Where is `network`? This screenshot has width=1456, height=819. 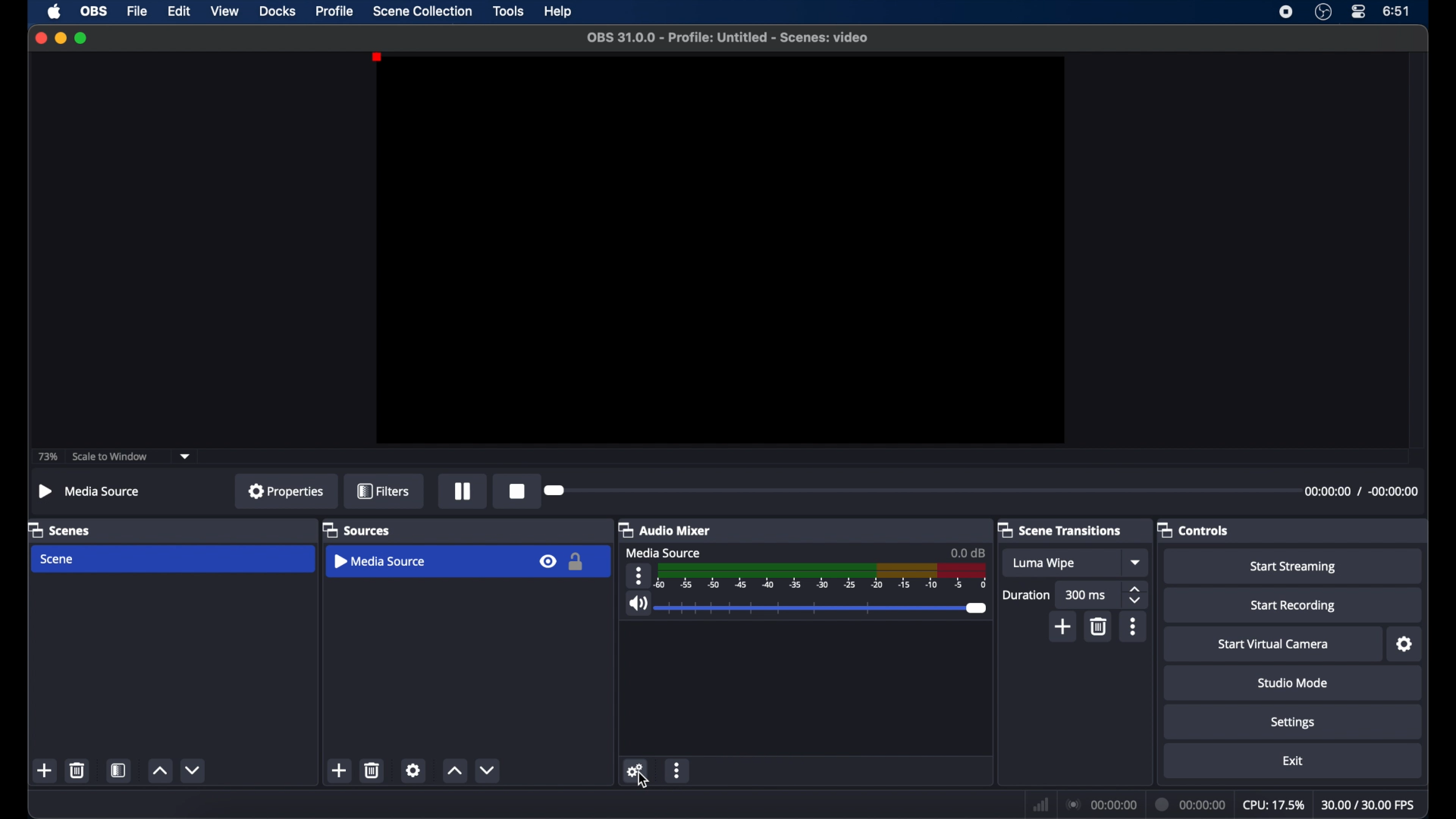
network is located at coordinates (1041, 804).